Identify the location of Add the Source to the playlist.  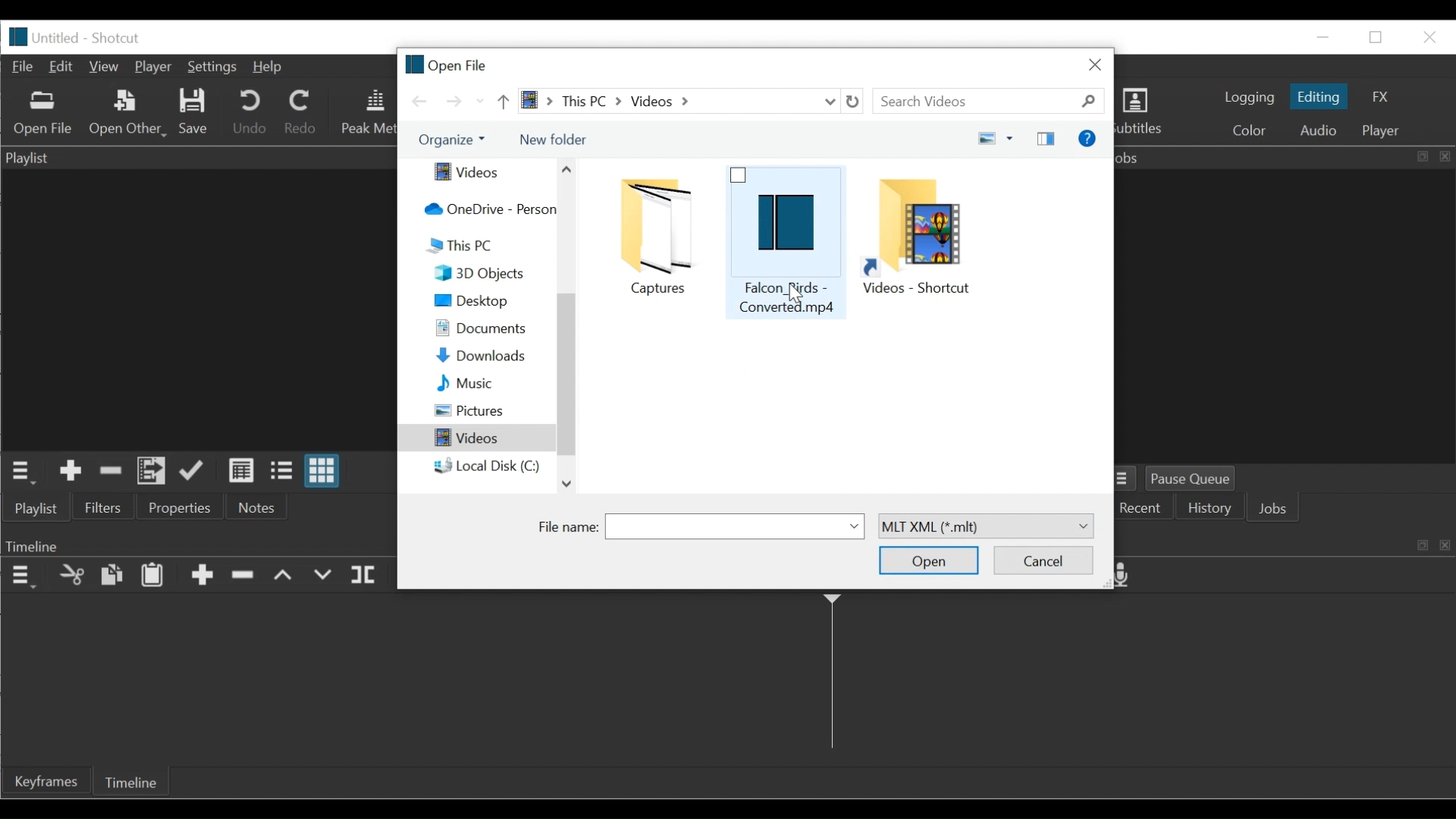
(71, 472).